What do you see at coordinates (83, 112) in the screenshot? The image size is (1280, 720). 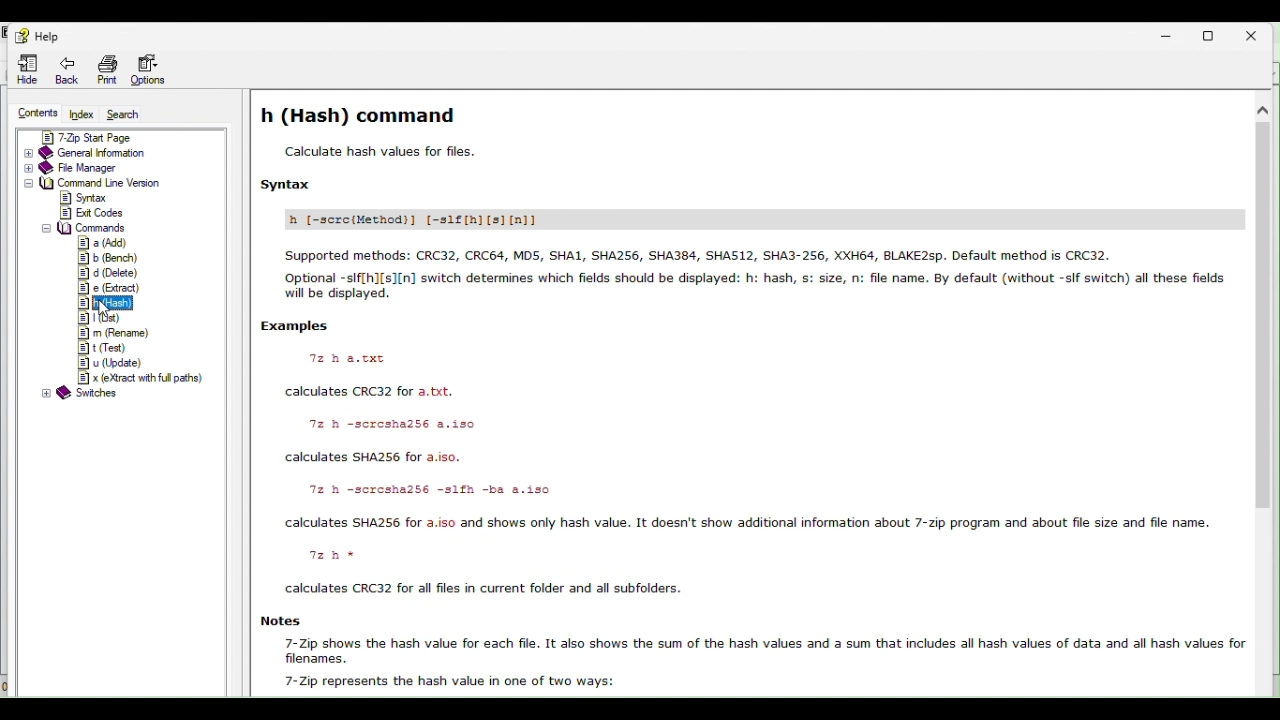 I see `Index` at bounding box center [83, 112].